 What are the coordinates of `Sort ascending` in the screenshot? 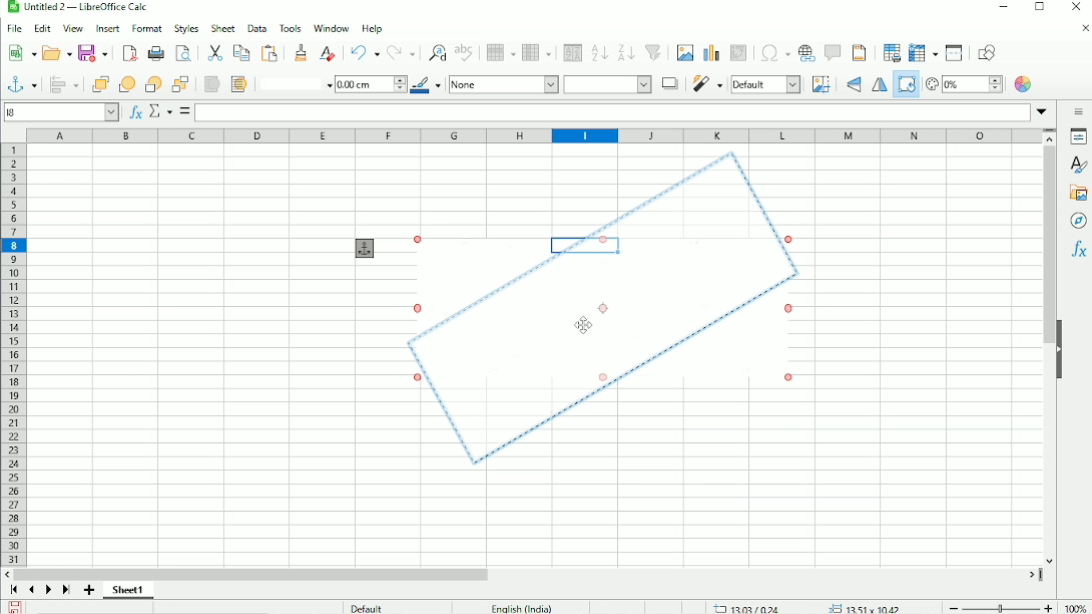 It's located at (599, 53).